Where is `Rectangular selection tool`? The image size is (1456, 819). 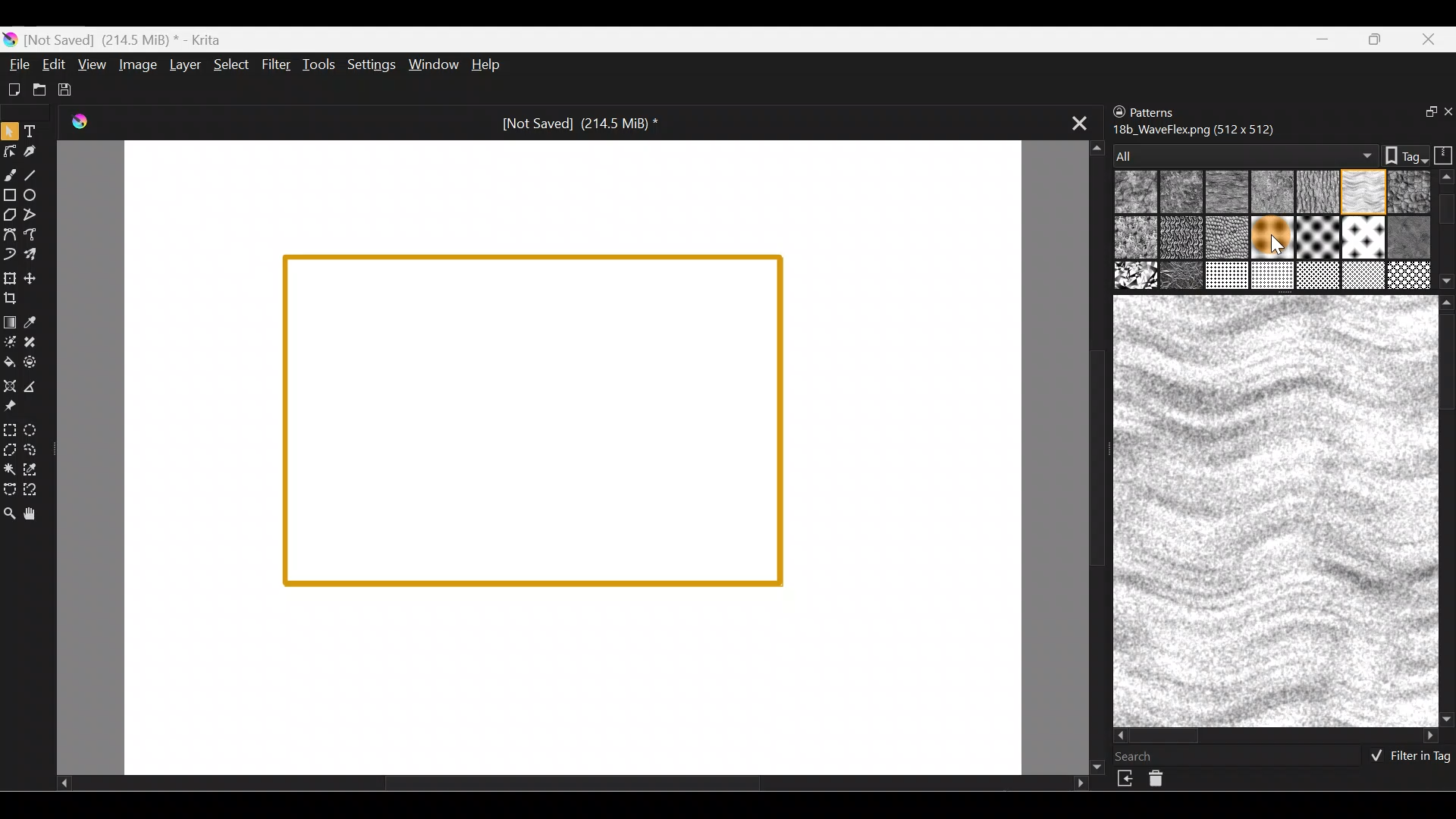 Rectangular selection tool is located at coordinates (9, 429).